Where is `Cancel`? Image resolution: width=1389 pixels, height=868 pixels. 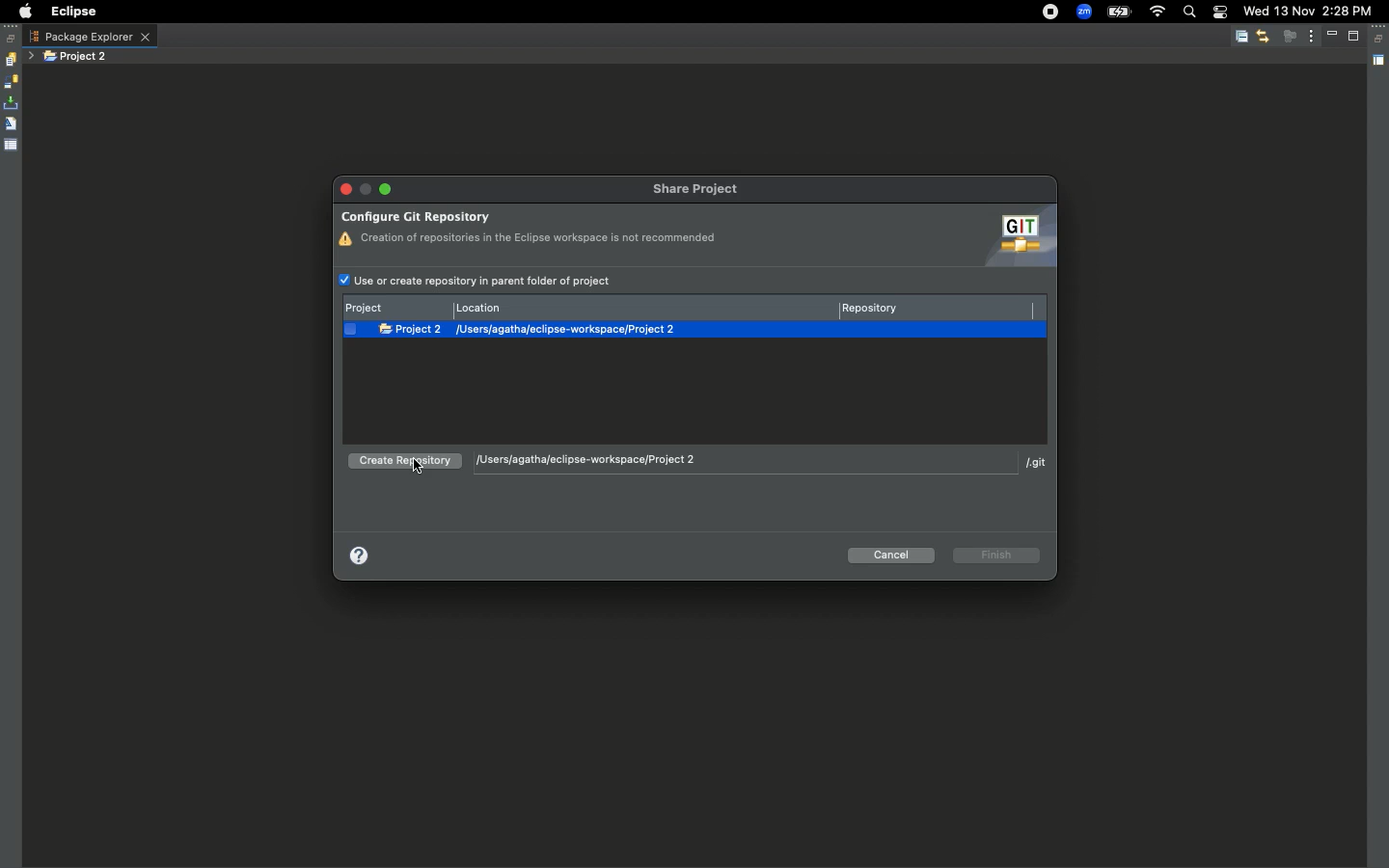
Cancel is located at coordinates (893, 555).